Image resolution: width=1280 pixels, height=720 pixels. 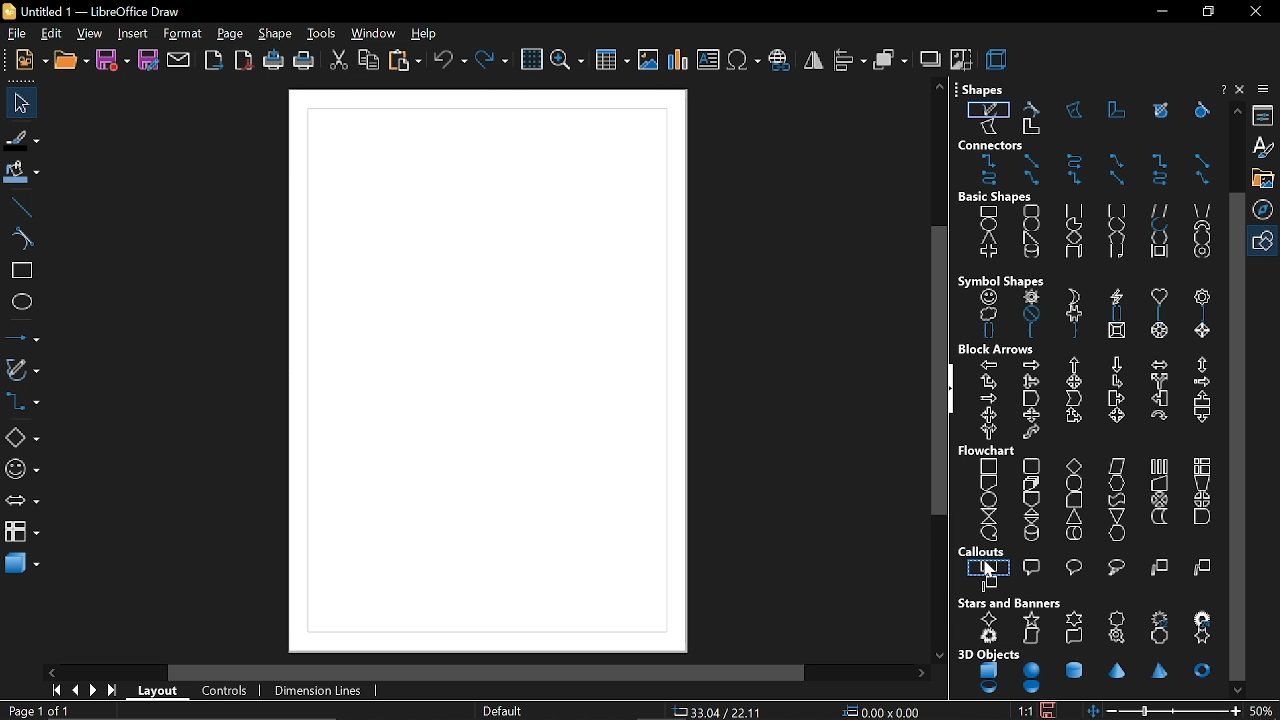 What do you see at coordinates (1033, 566) in the screenshot?
I see `rounded rectangular` at bounding box center [1033, 566].